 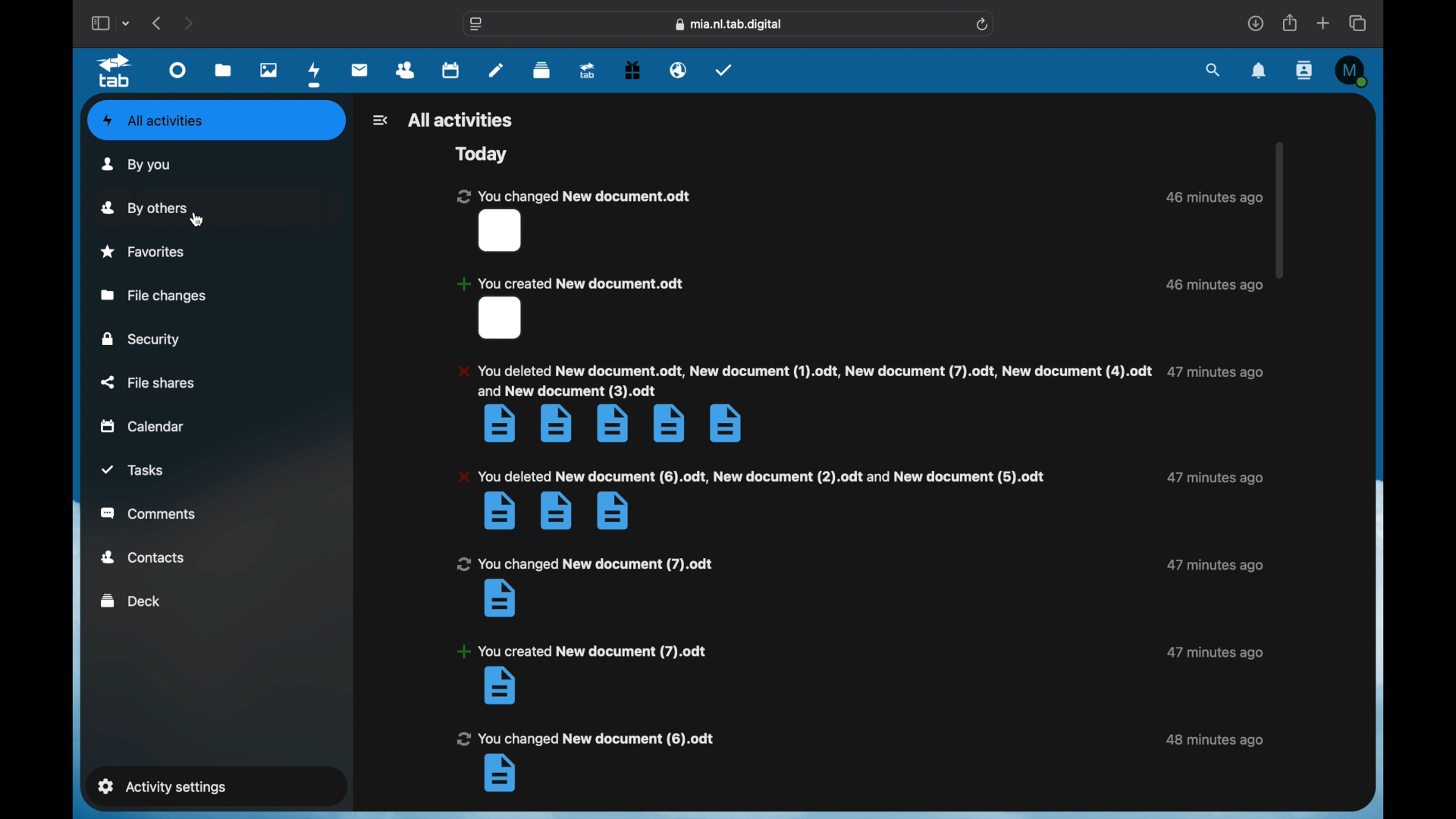 I want to click on cursor, so click(x=199, y=222).